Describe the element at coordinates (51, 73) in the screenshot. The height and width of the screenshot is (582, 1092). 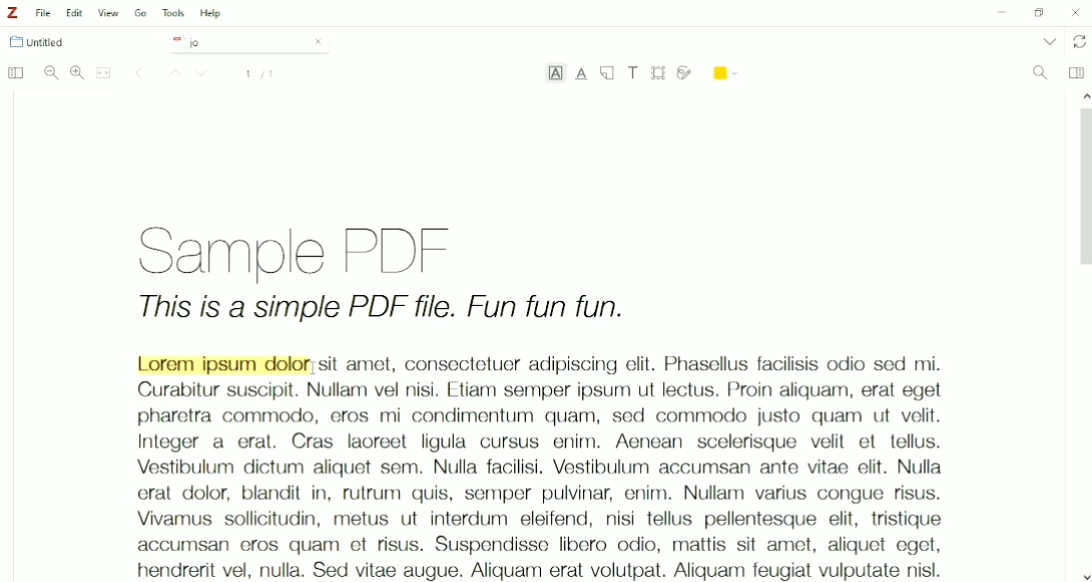
I see `Zoom Out` at that location.